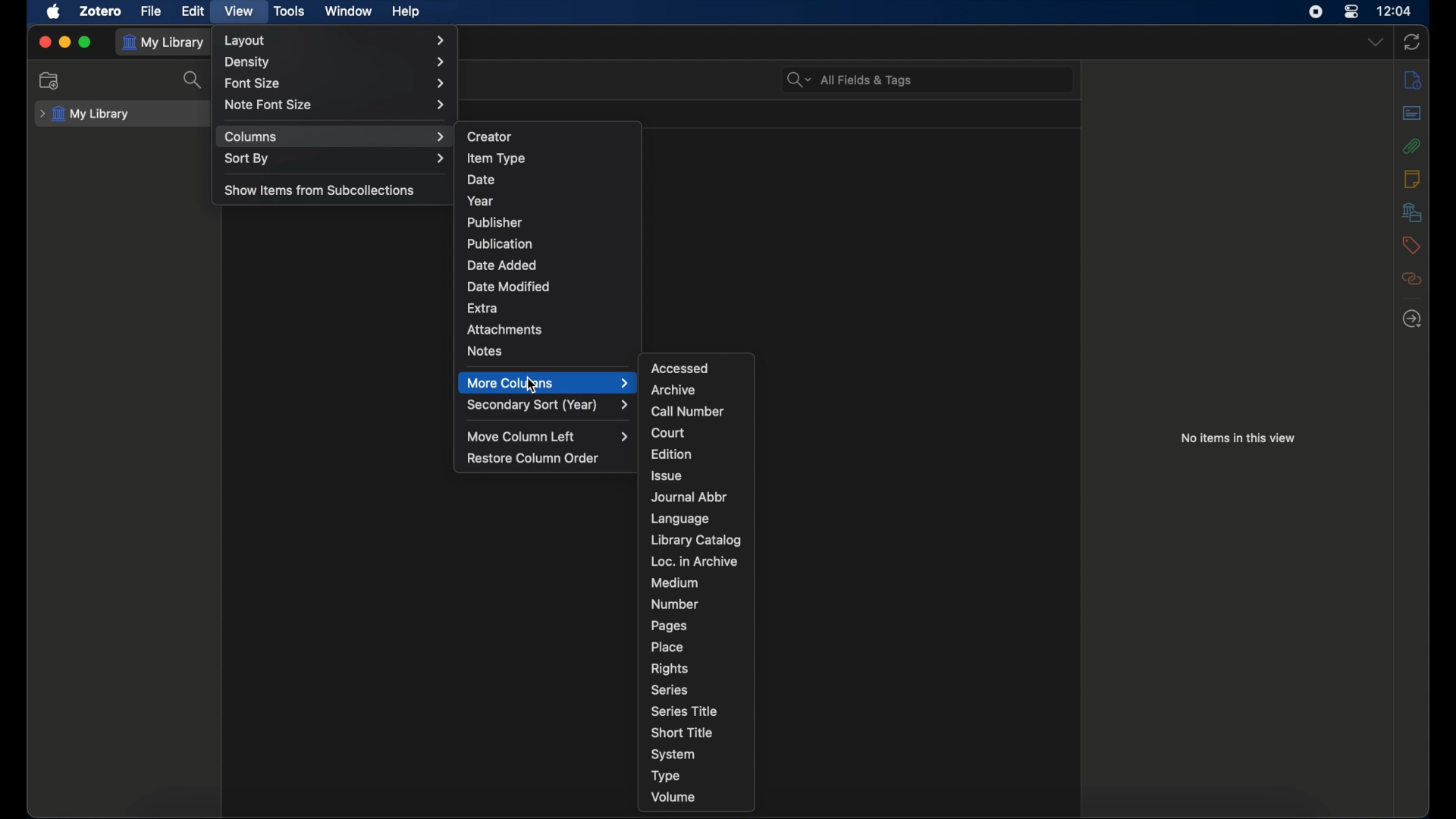  I want to click on medium, so click(674, 582).